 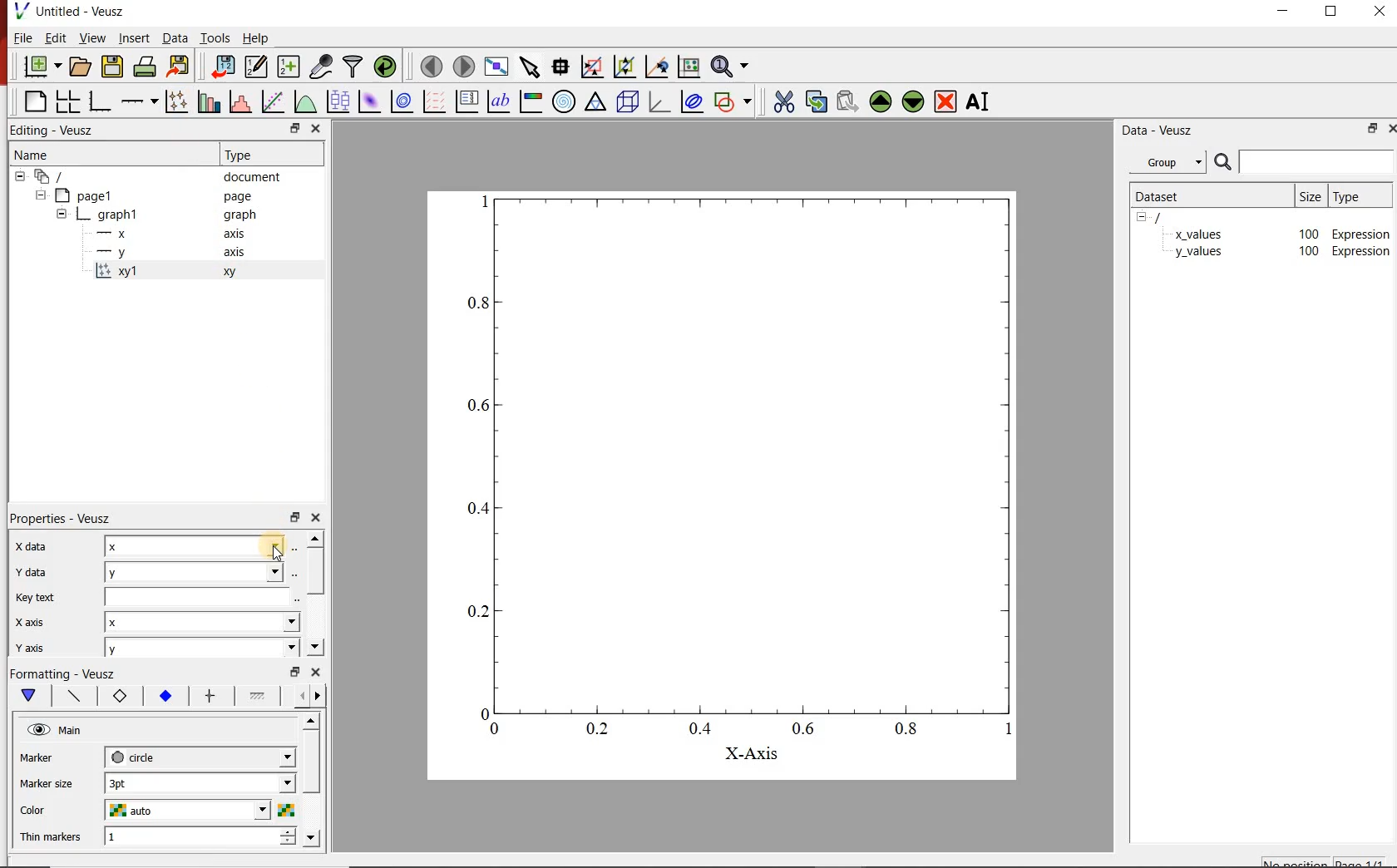 What do you see at coordinates (945, 104) in the screenshot?
I see `remove the selected widget` at bounding box center [945, 104].